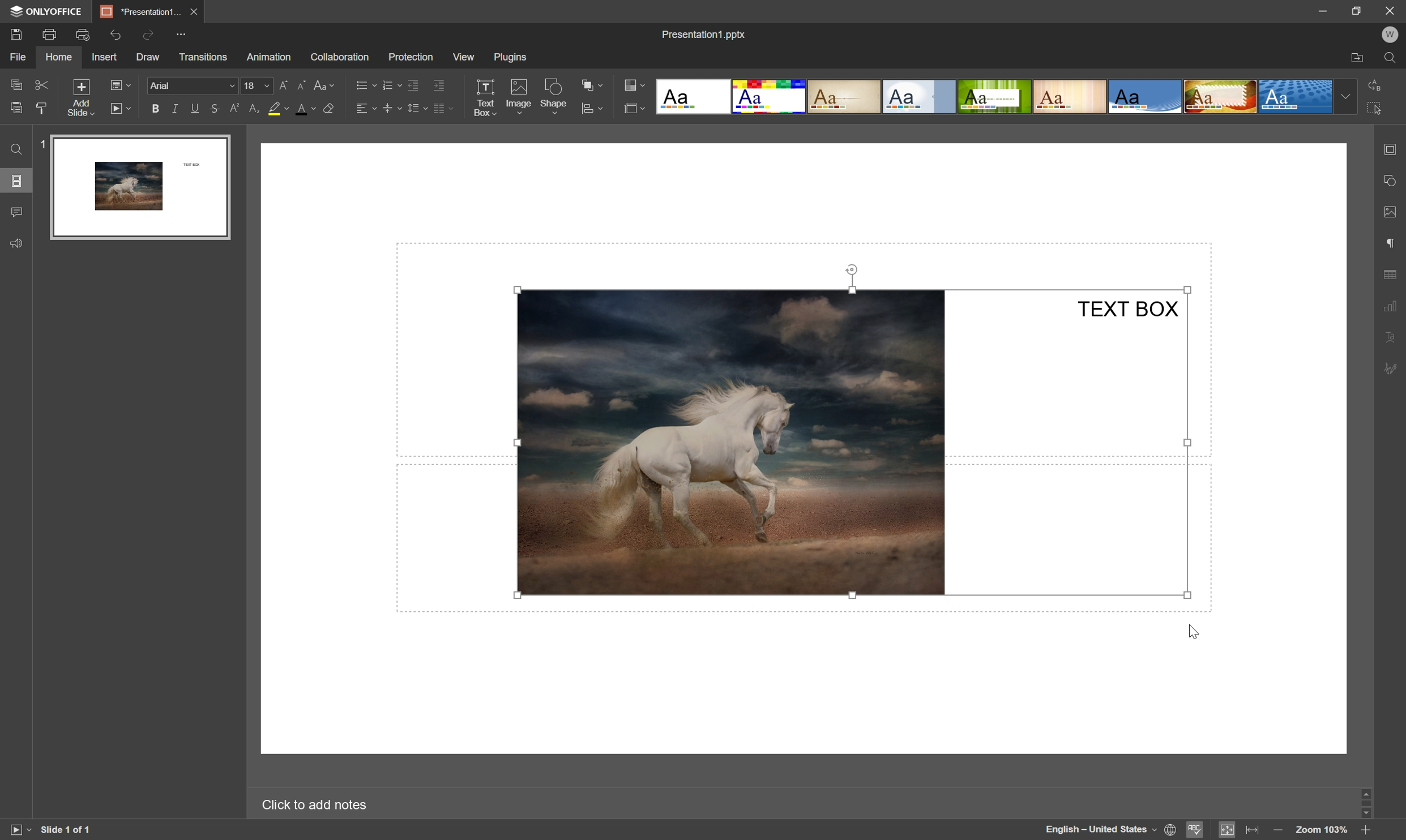  Describe the element at coordinates (194, 110) in the screenshot. I see `underline` at that location.